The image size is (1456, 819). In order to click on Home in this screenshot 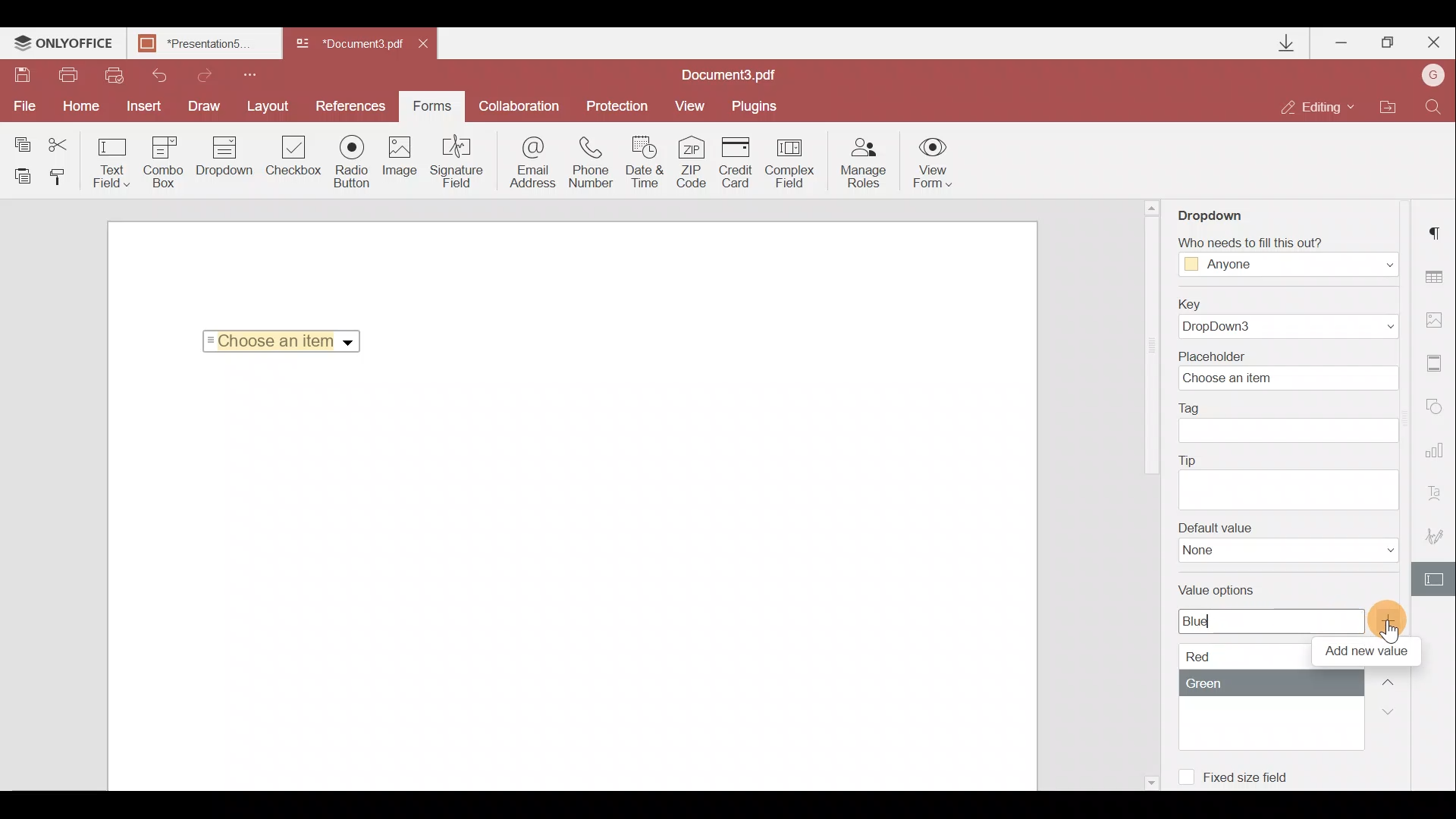, I will do `click(85, 107)`.